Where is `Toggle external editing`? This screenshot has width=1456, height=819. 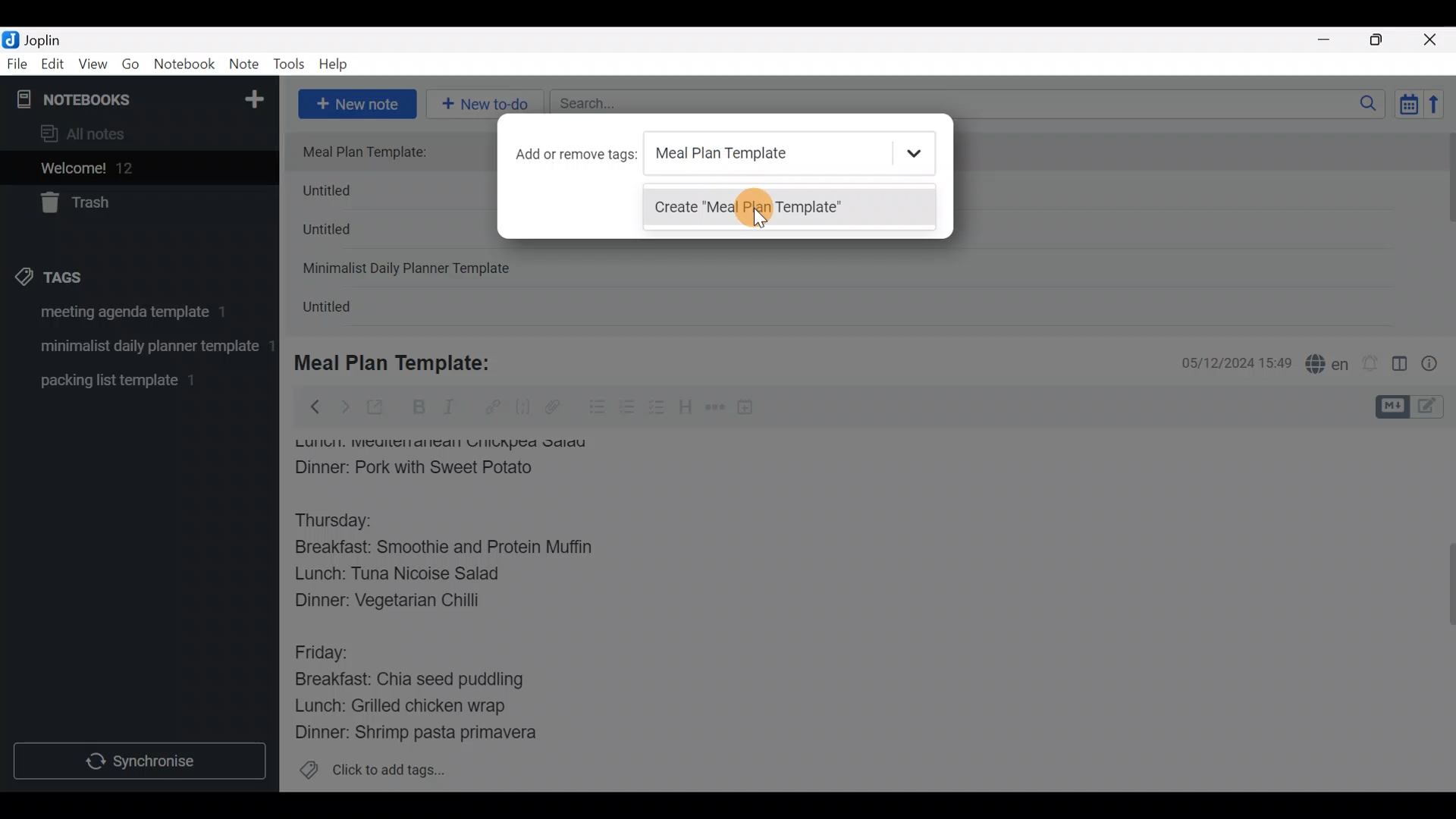 Toggle external editing is located at coordinates (381, 408).